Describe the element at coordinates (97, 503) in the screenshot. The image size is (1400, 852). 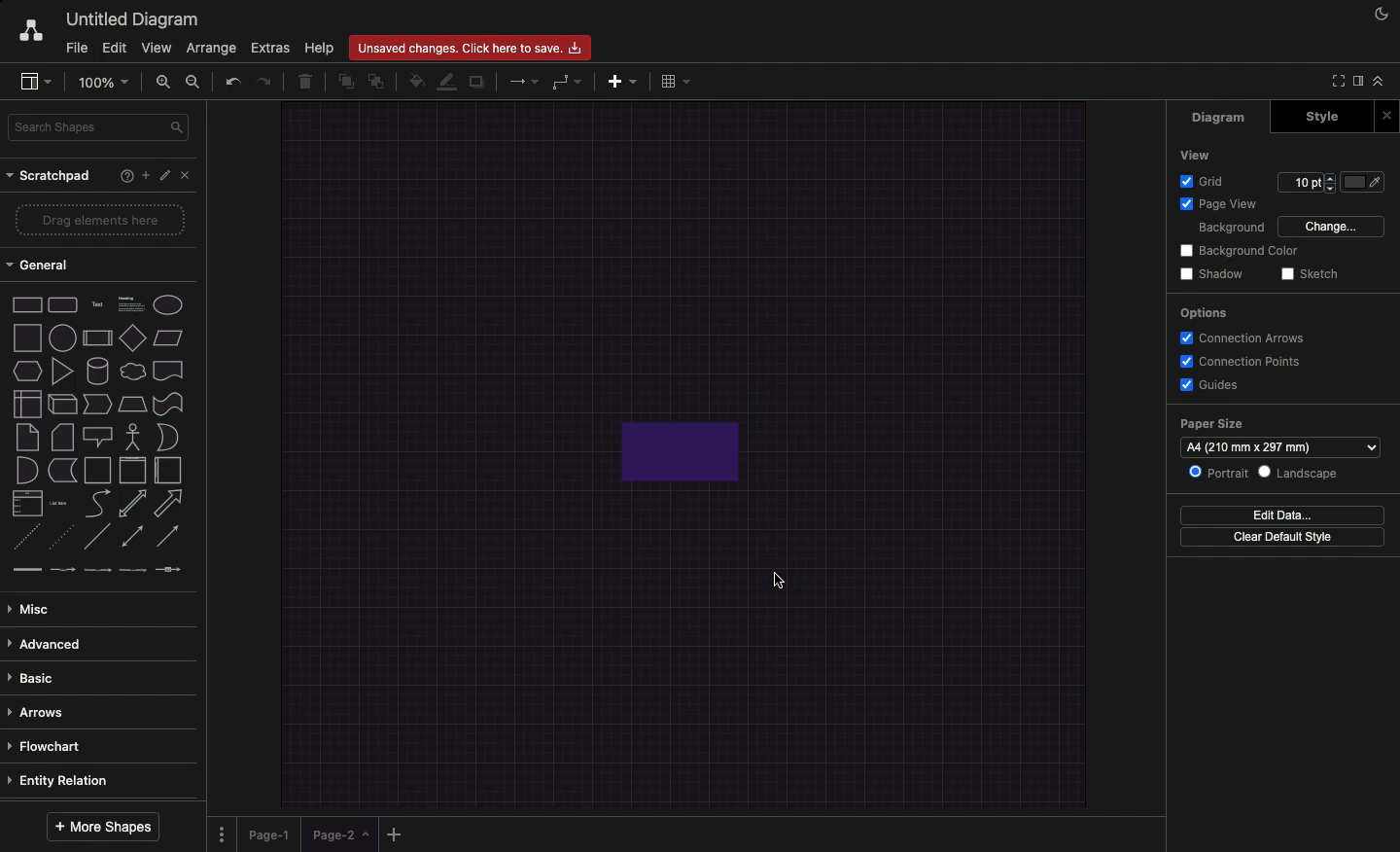
I see `curve` at that location.